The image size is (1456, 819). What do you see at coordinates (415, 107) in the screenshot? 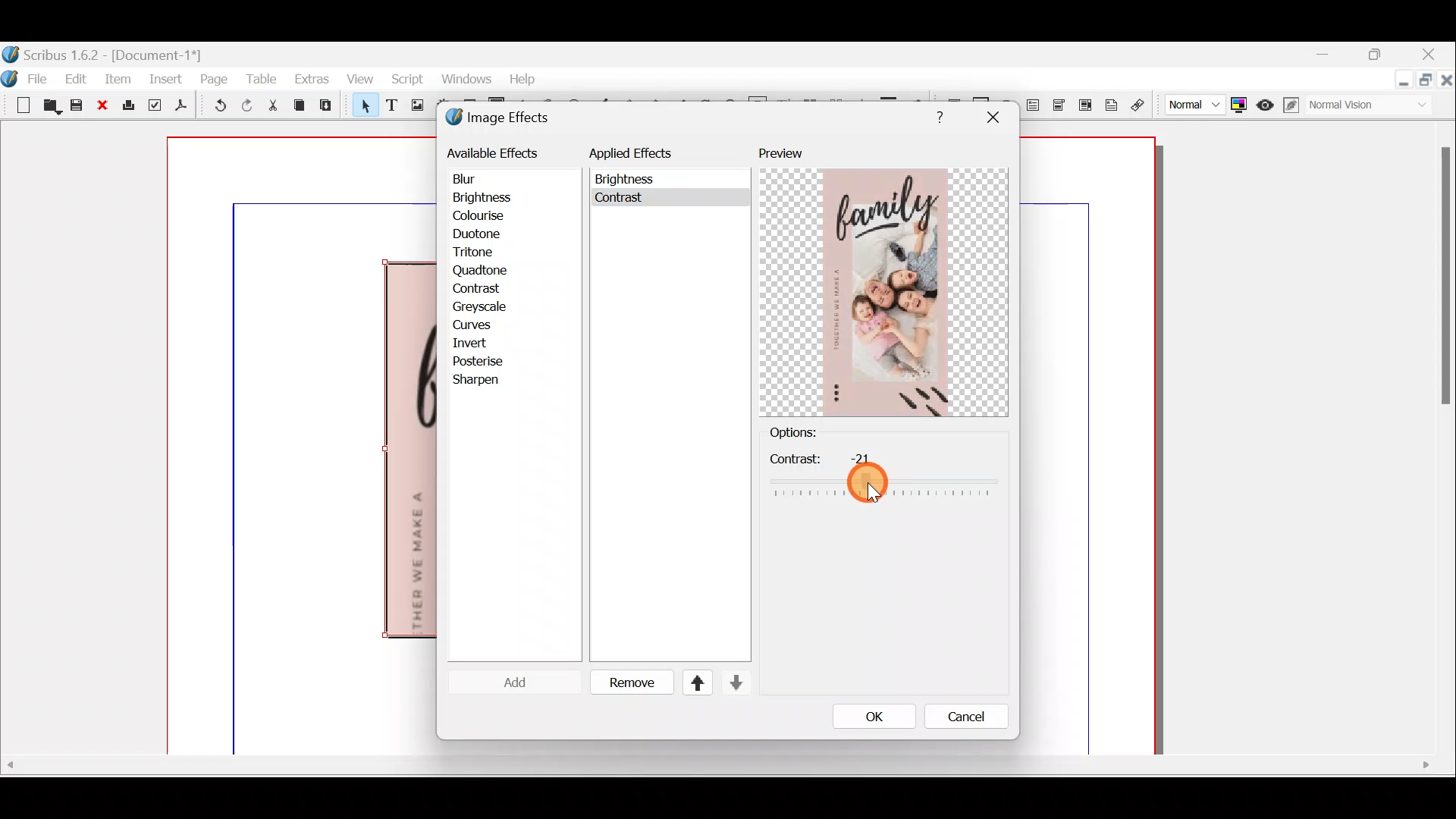
I see `Image frame` at bounding box center [415, 107].